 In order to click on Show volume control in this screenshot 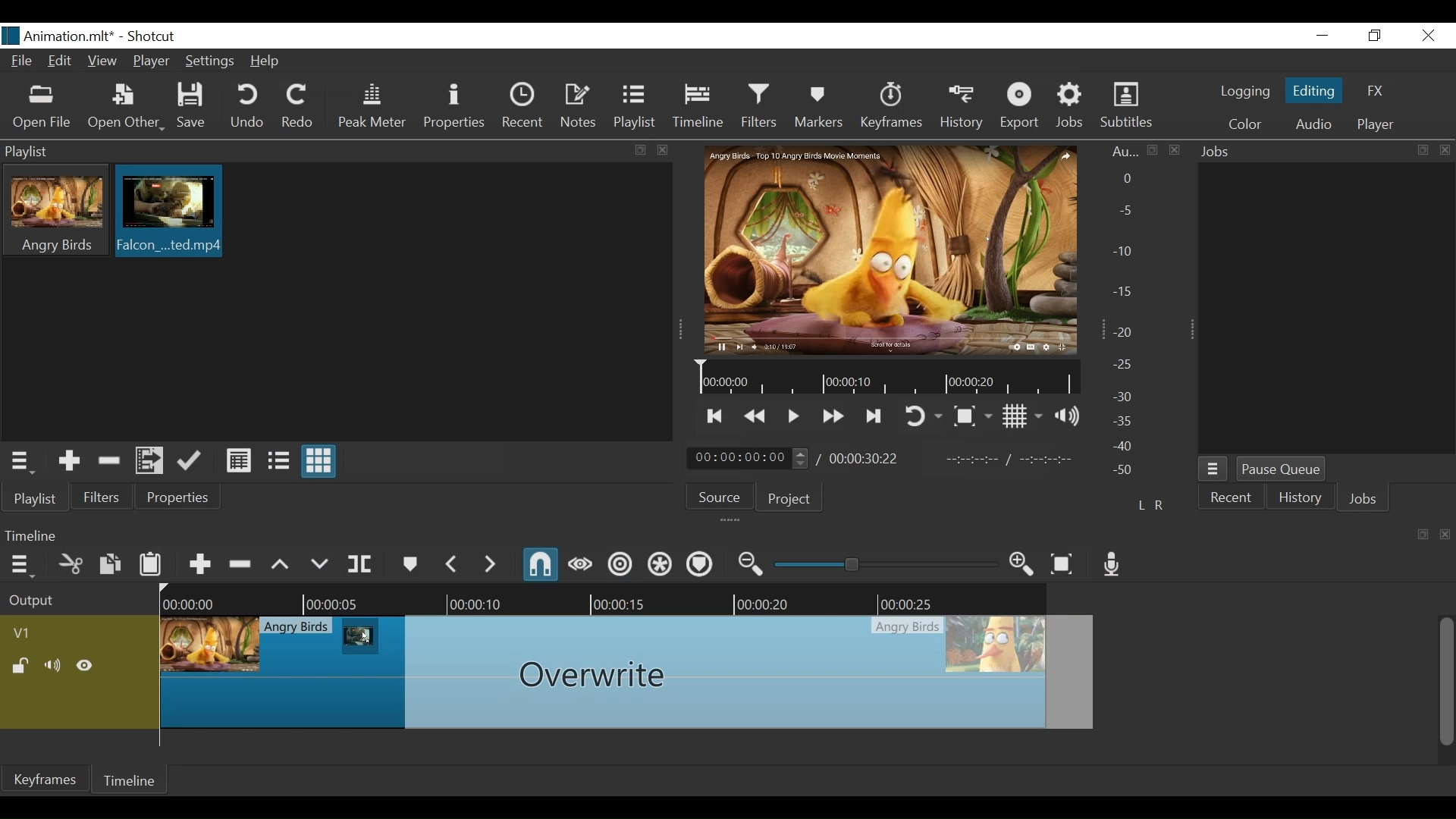, I will do `click(1068, 416)`.